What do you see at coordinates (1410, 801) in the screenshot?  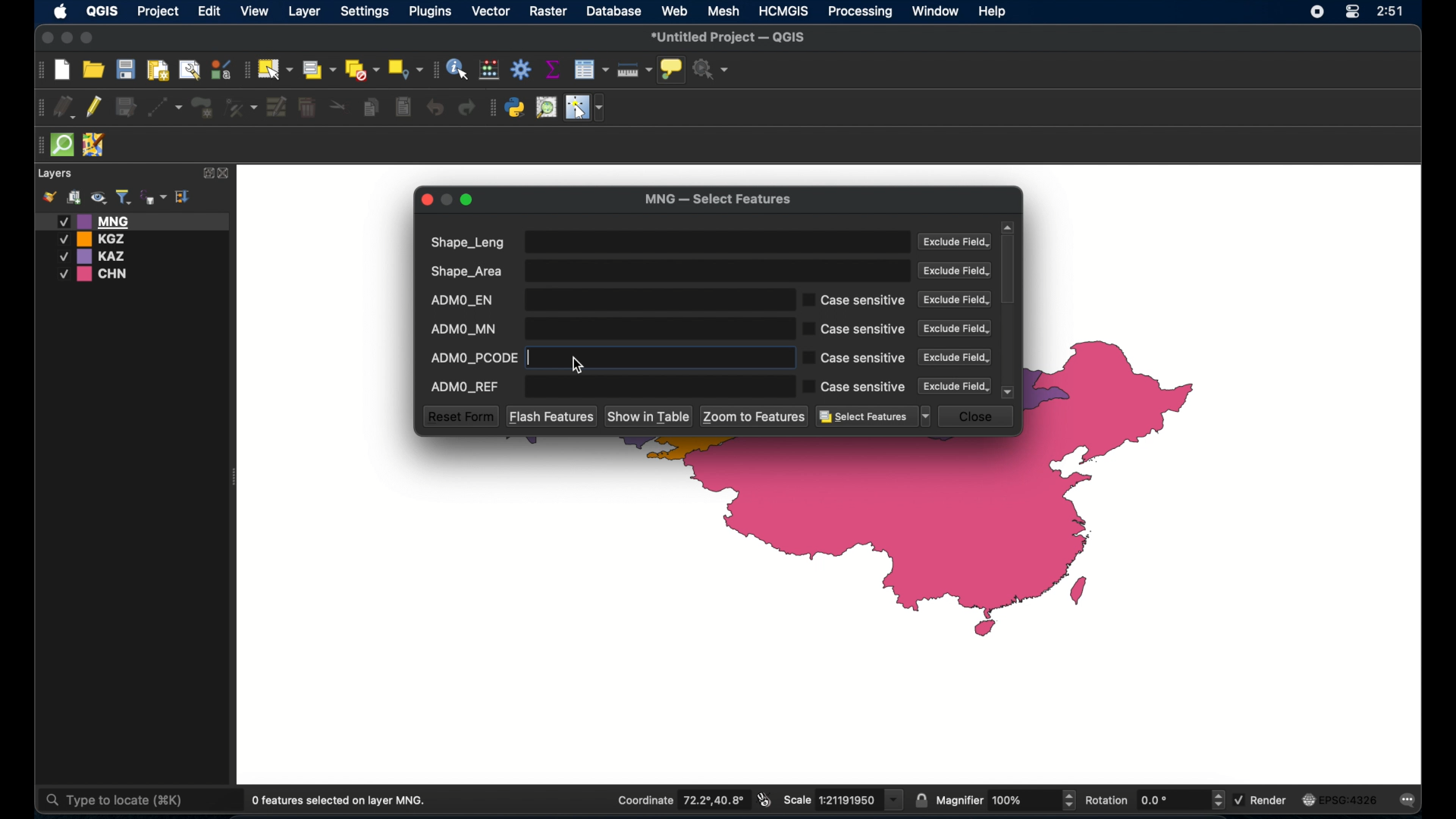 I see `messages` at bounding box center [1410, 801].